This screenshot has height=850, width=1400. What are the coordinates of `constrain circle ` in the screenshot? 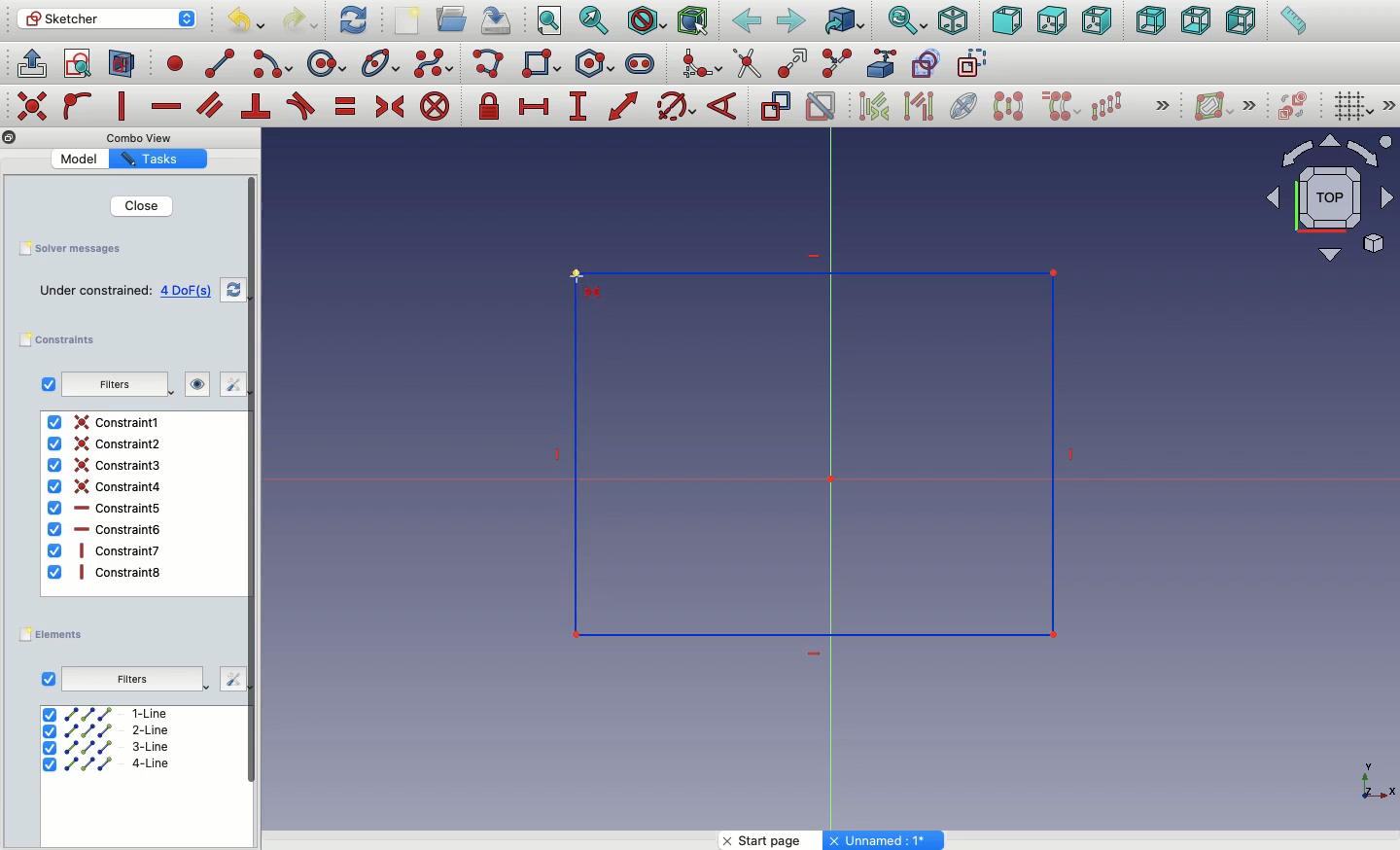 It's located at (677, 105).